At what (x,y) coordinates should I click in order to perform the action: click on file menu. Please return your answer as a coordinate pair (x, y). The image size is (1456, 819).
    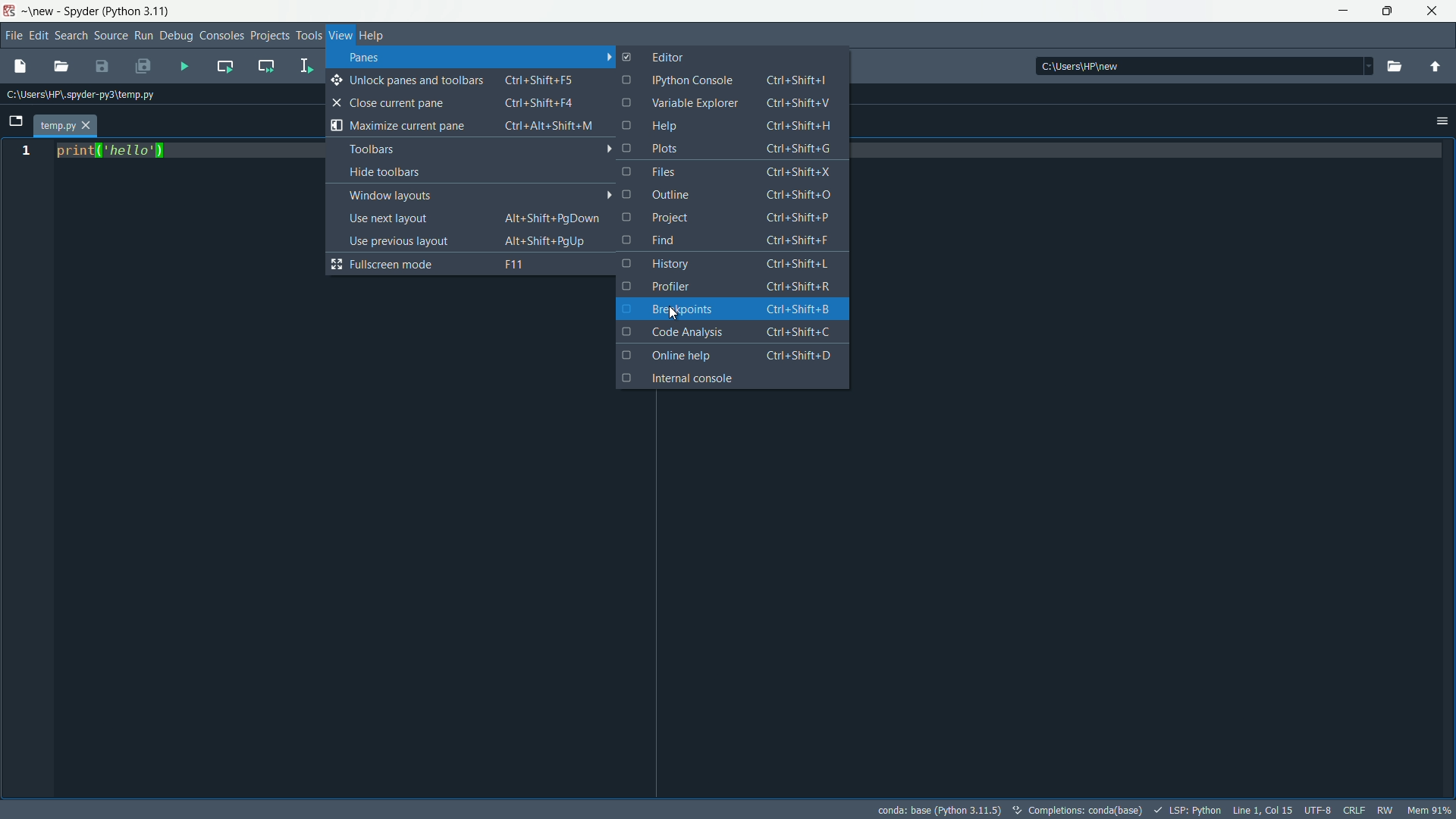
    Looking at the image, I should click on (12, 36).